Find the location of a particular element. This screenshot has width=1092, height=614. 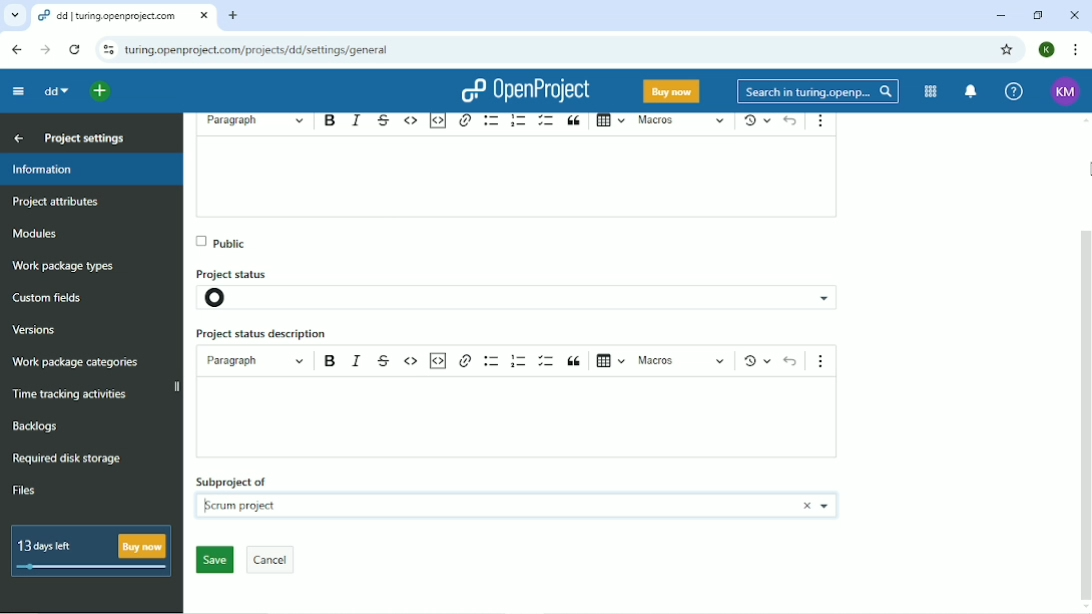

Show more items is located at coordinates (821, 360).